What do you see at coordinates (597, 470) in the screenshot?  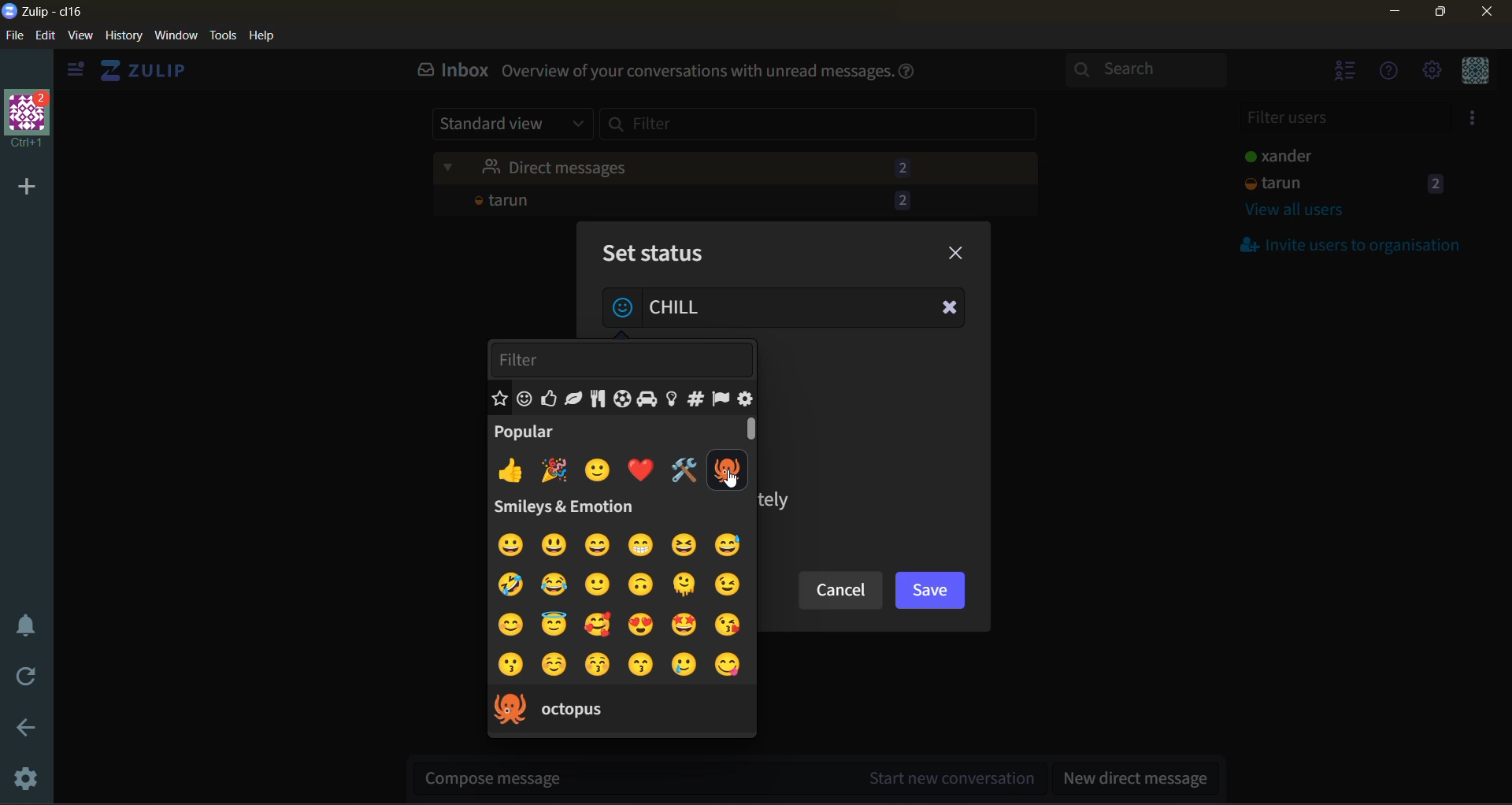 I see `emoji` at bounding box center [597, 470].